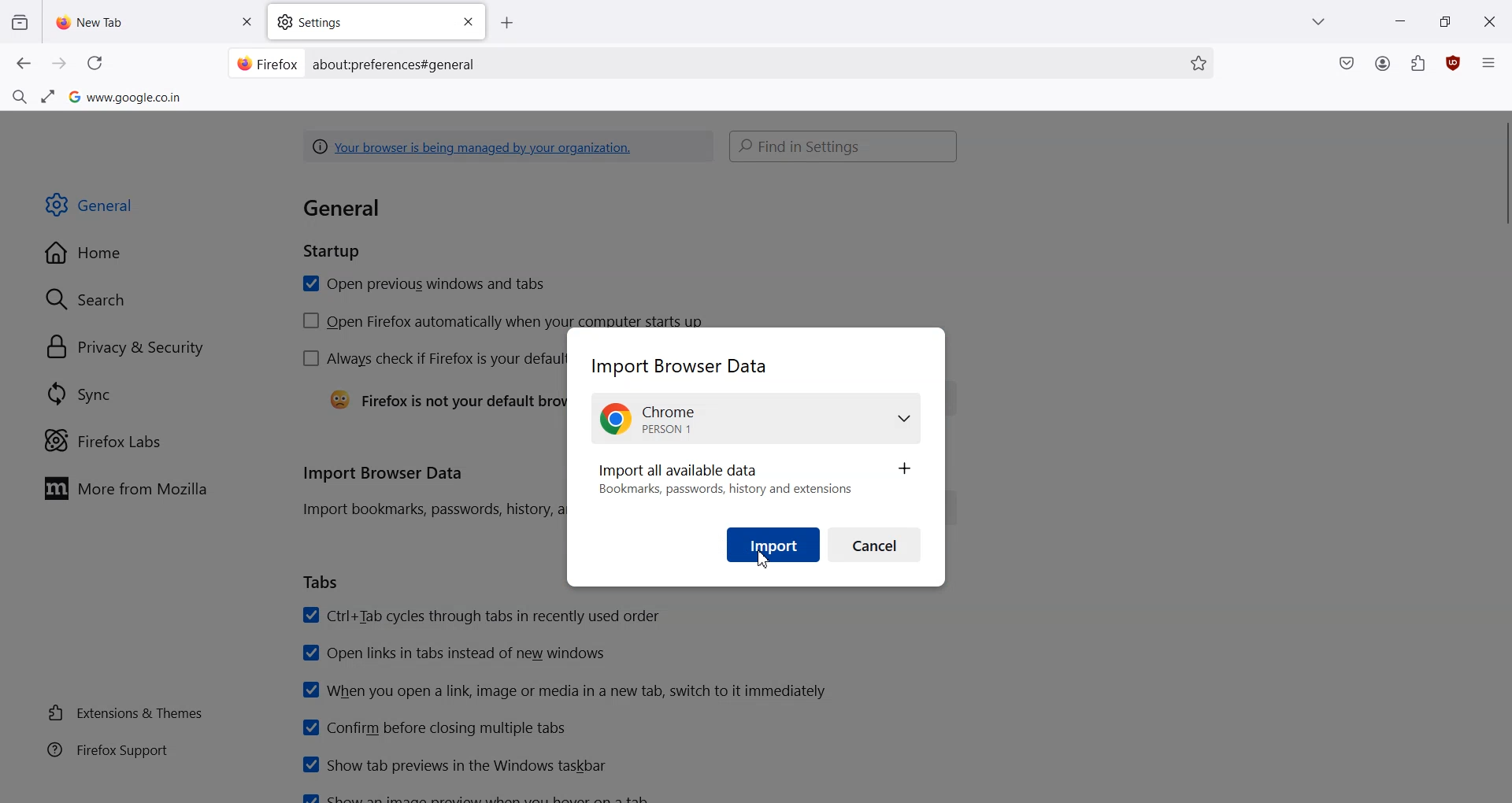  Describe the element at coordinates (92, 205) in the screenshot. I see `General` at that location.